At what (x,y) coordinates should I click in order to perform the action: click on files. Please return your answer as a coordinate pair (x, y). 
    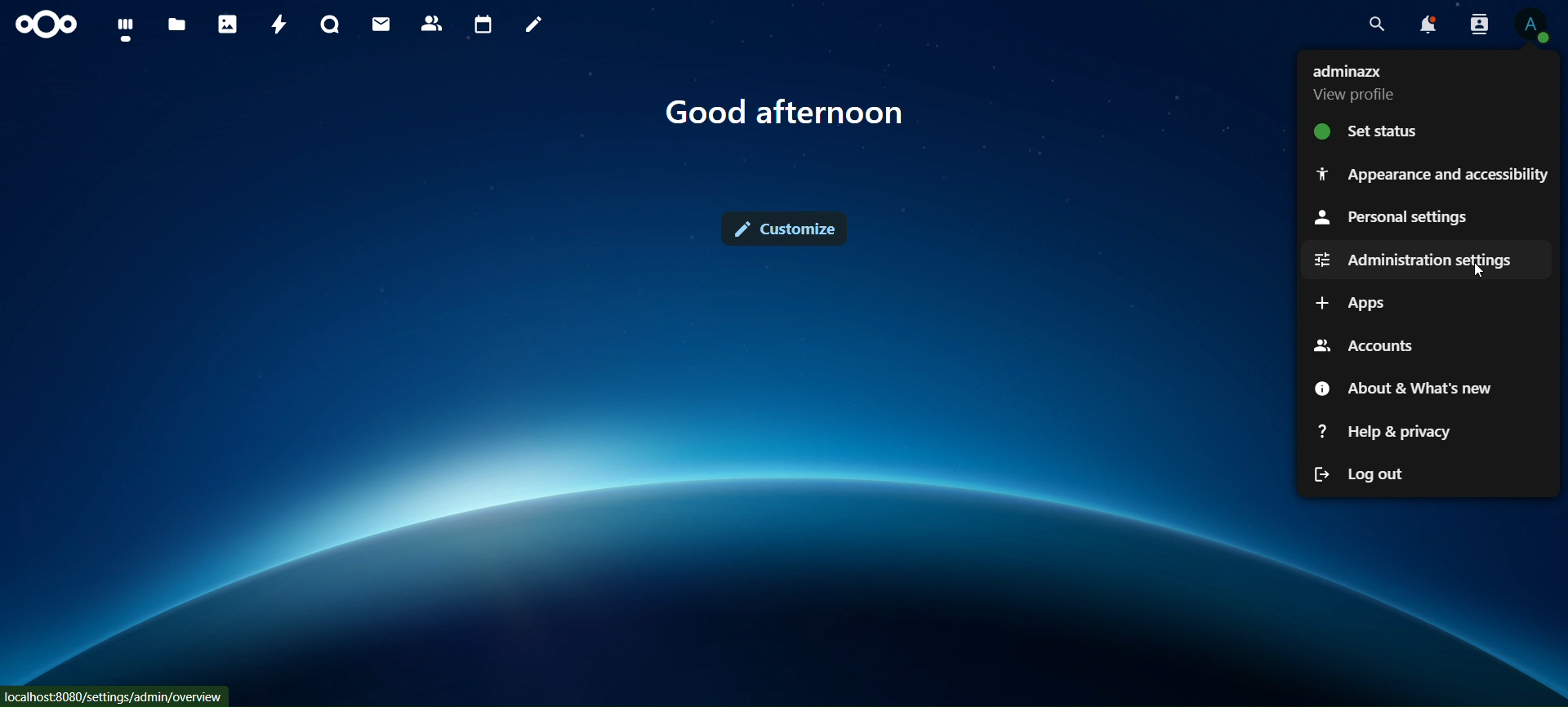
    Looking at the image, I should click on (176, 25).